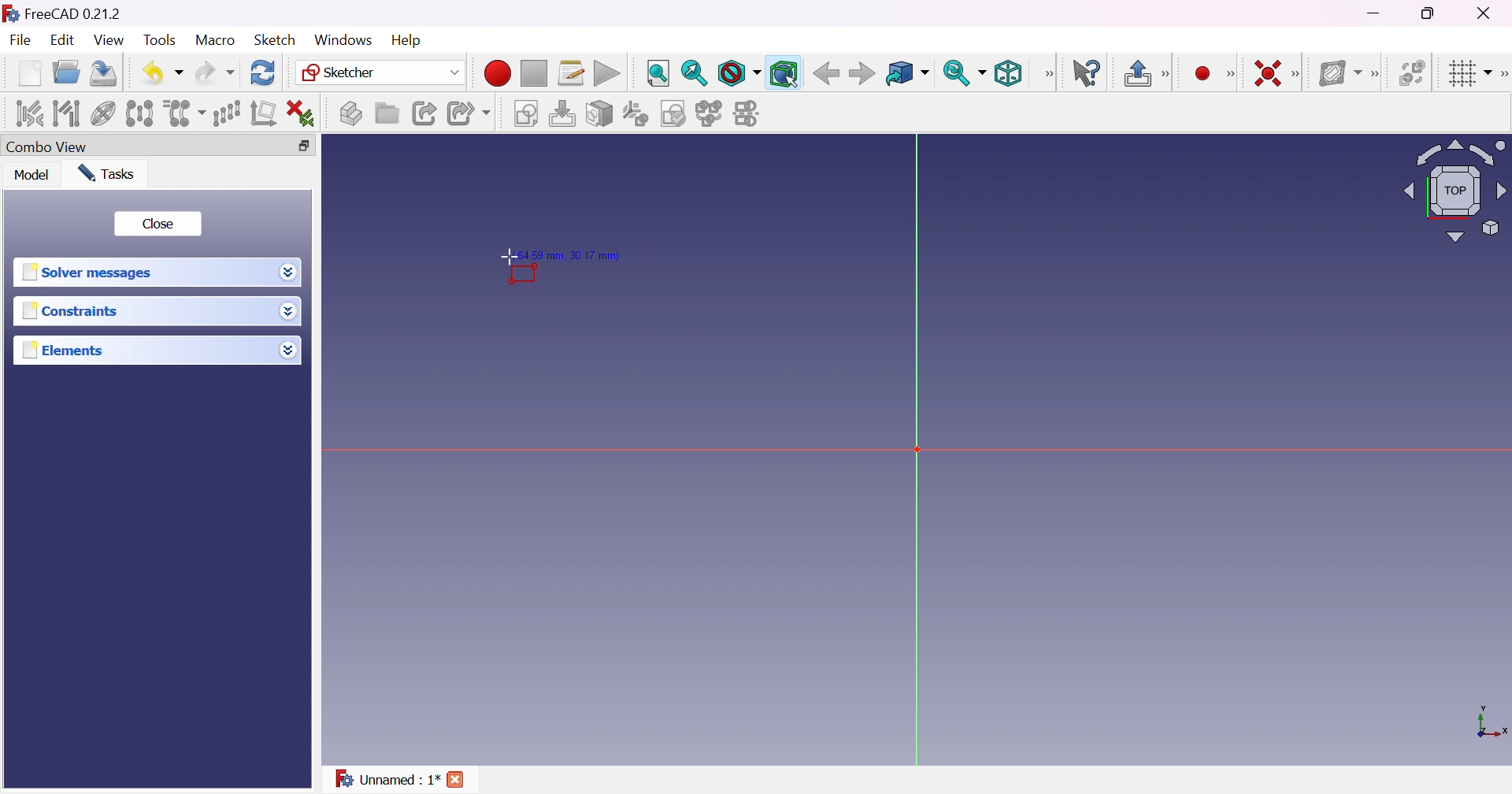 The height and width of the screenshot is (794, 1512). I want to click on Leave sketch, so click(1136, 73).